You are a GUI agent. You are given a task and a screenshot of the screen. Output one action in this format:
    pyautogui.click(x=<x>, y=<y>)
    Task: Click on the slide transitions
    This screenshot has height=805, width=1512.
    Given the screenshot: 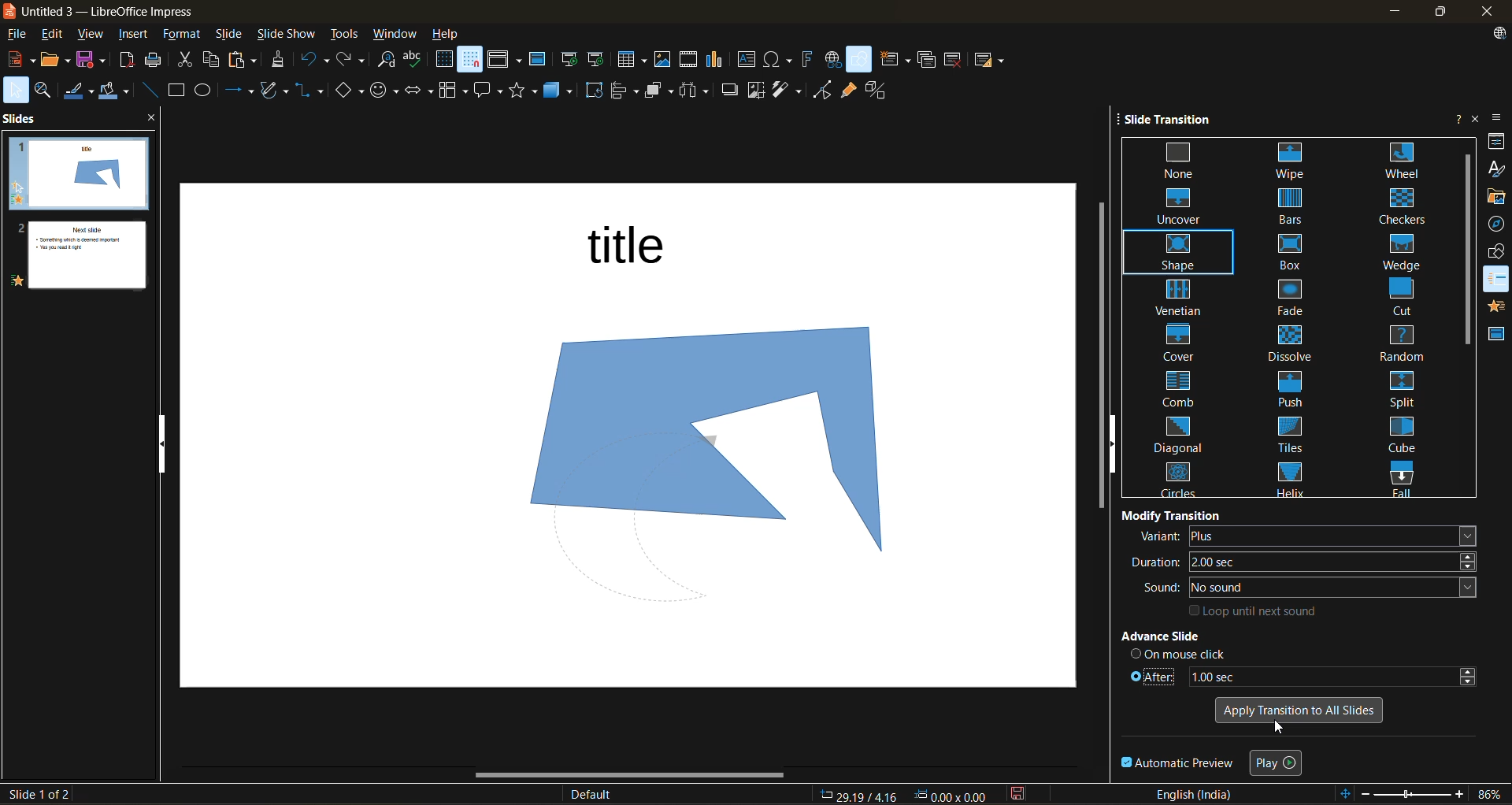 What is the action you would take?
    pyautogui.click(x=1292, y=318)
    